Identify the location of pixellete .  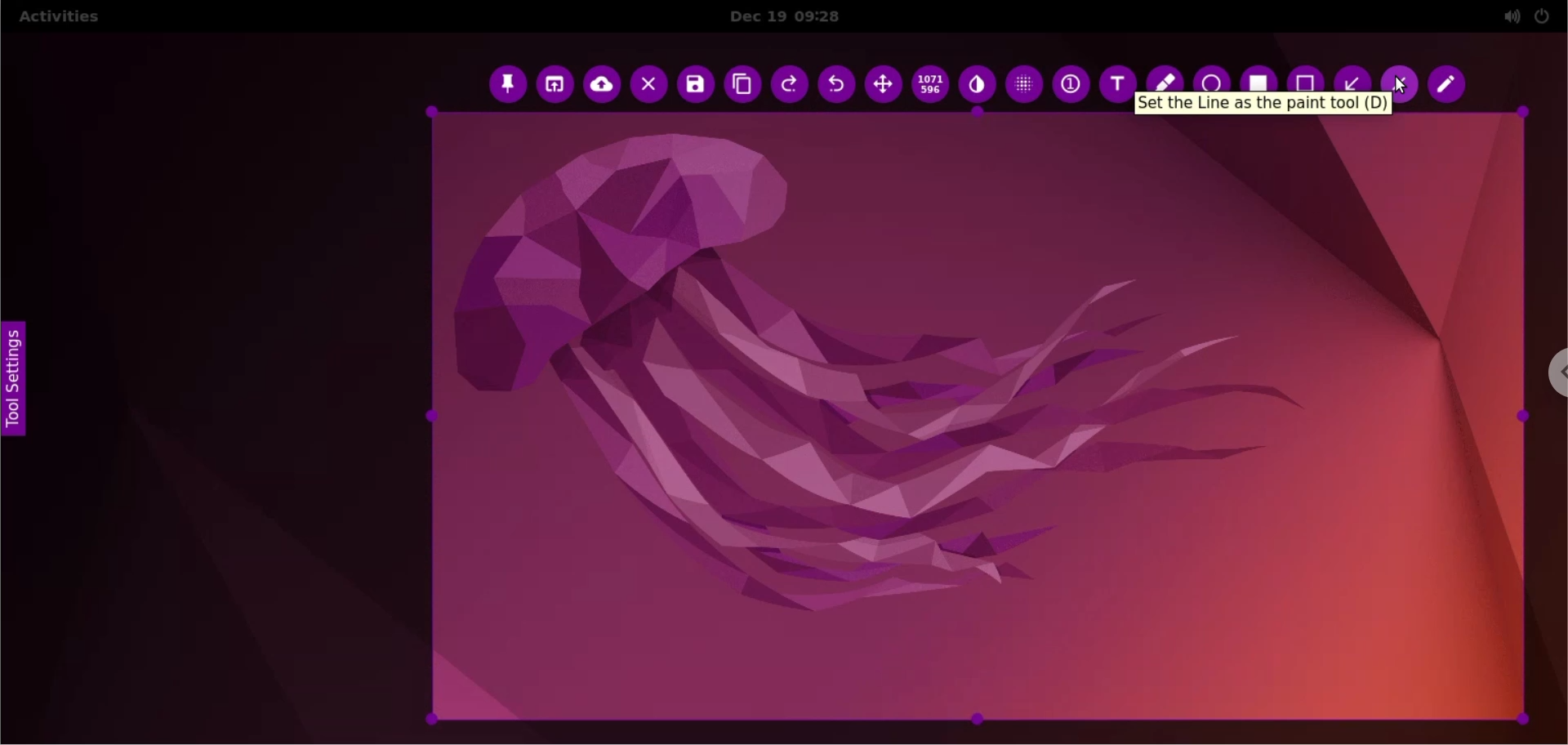
(1026, 84).